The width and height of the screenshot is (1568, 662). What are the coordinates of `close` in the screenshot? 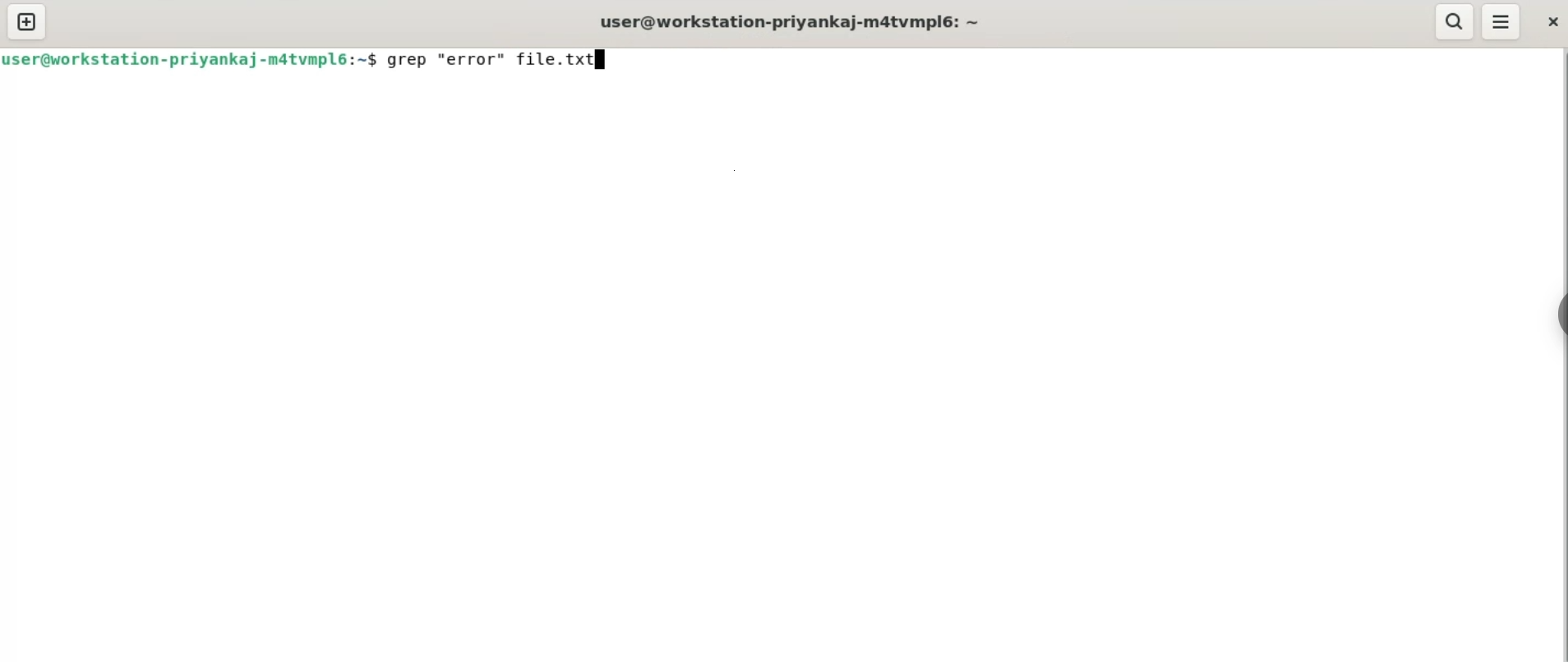 It's located at (1551, 21).